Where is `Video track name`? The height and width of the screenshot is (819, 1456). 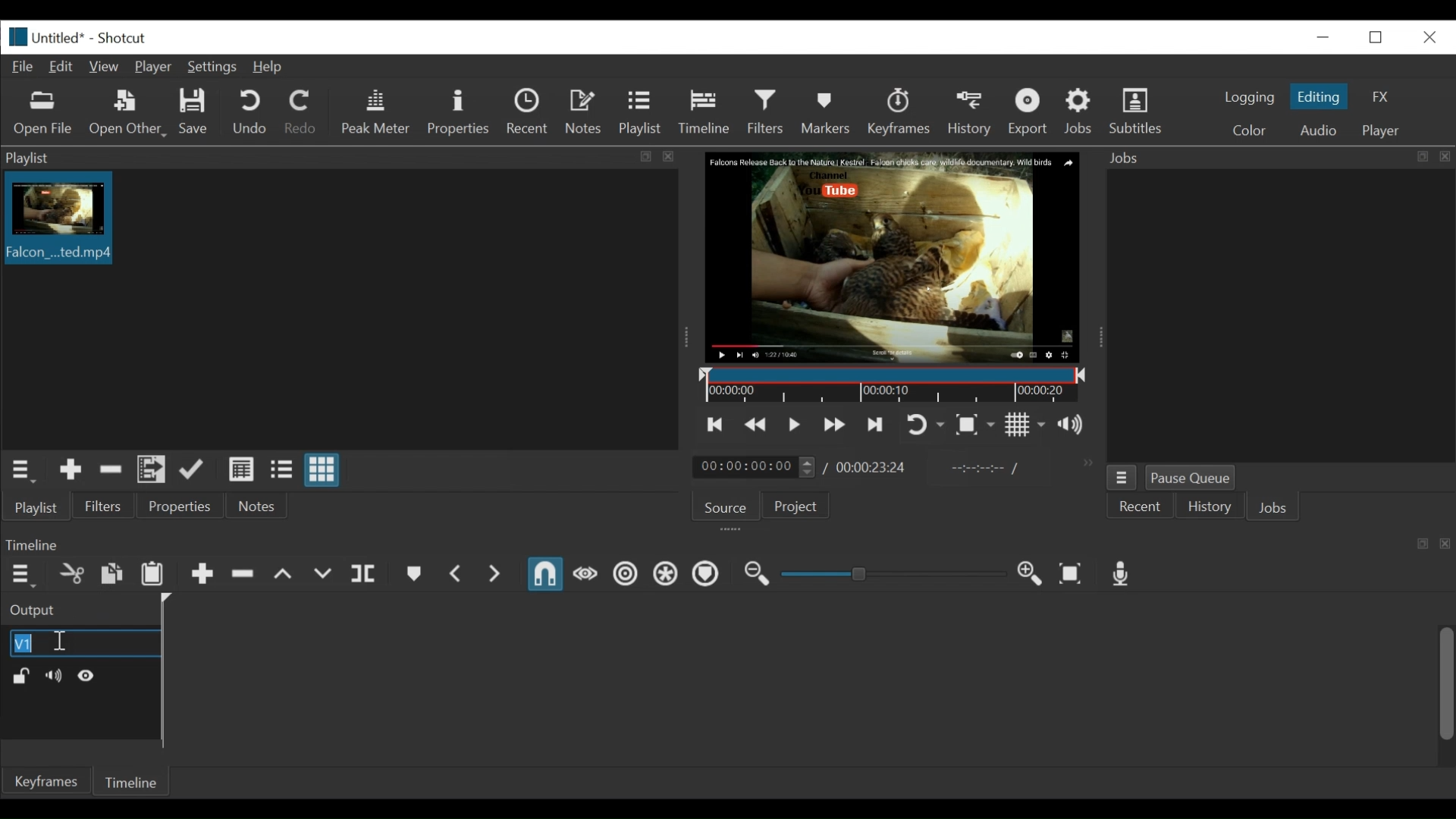 Video track name is located at coordinates (83, 642).